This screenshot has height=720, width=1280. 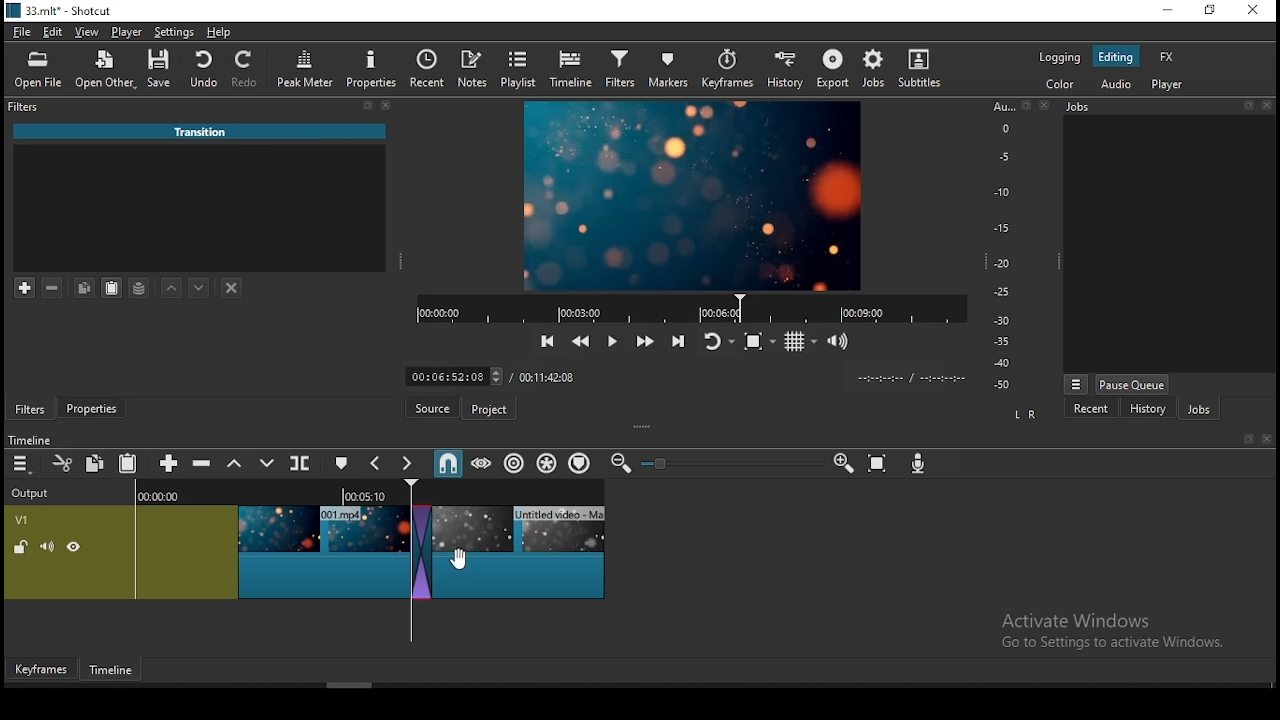 What do you see at coordinates (85, 288) in the screenshot?
I see `copy selected filter` at bounding box center [85, 288].